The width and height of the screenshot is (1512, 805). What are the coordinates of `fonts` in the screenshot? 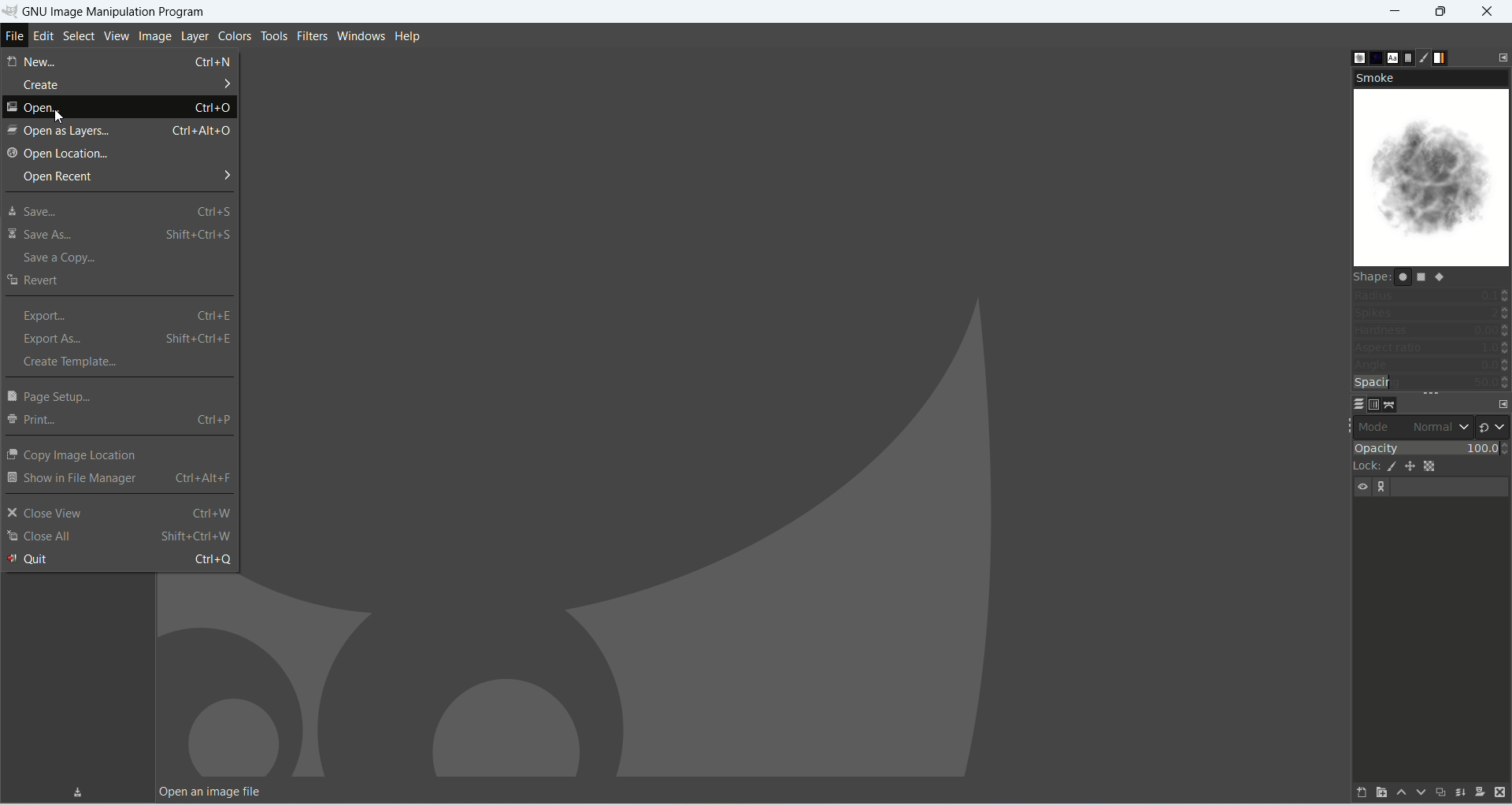 It's located at (1393, 57).